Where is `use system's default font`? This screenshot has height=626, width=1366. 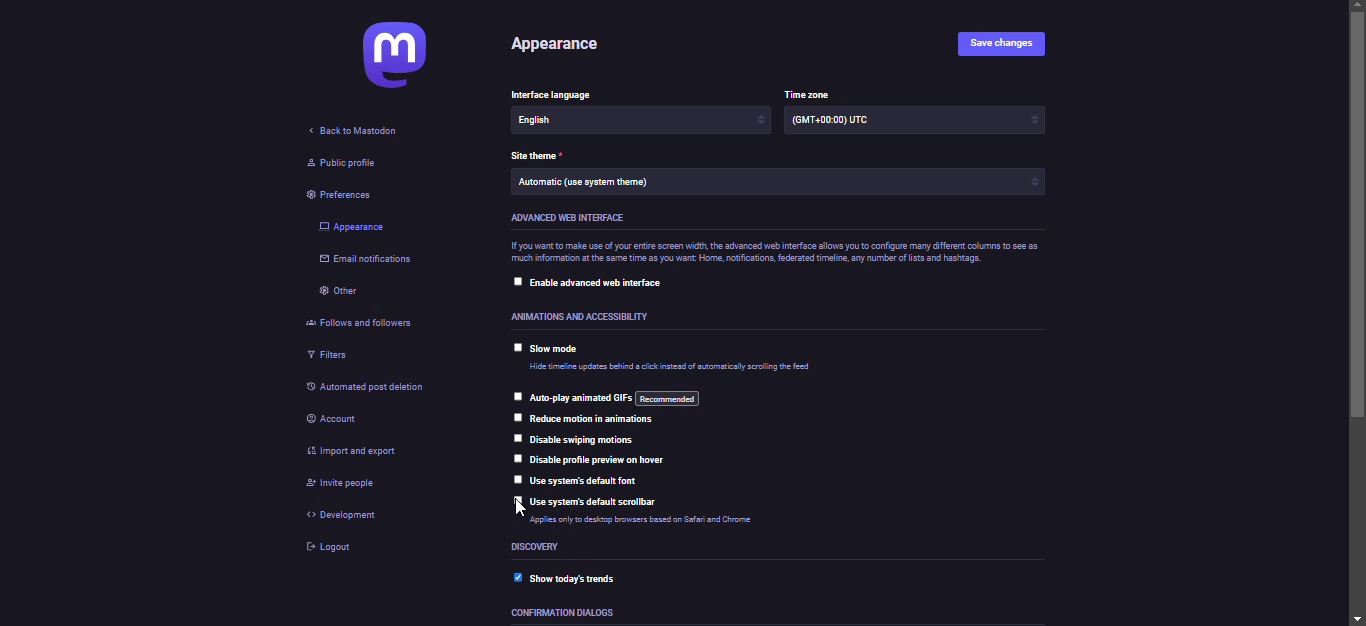
use system's default font is located at coordinates (587, 482).